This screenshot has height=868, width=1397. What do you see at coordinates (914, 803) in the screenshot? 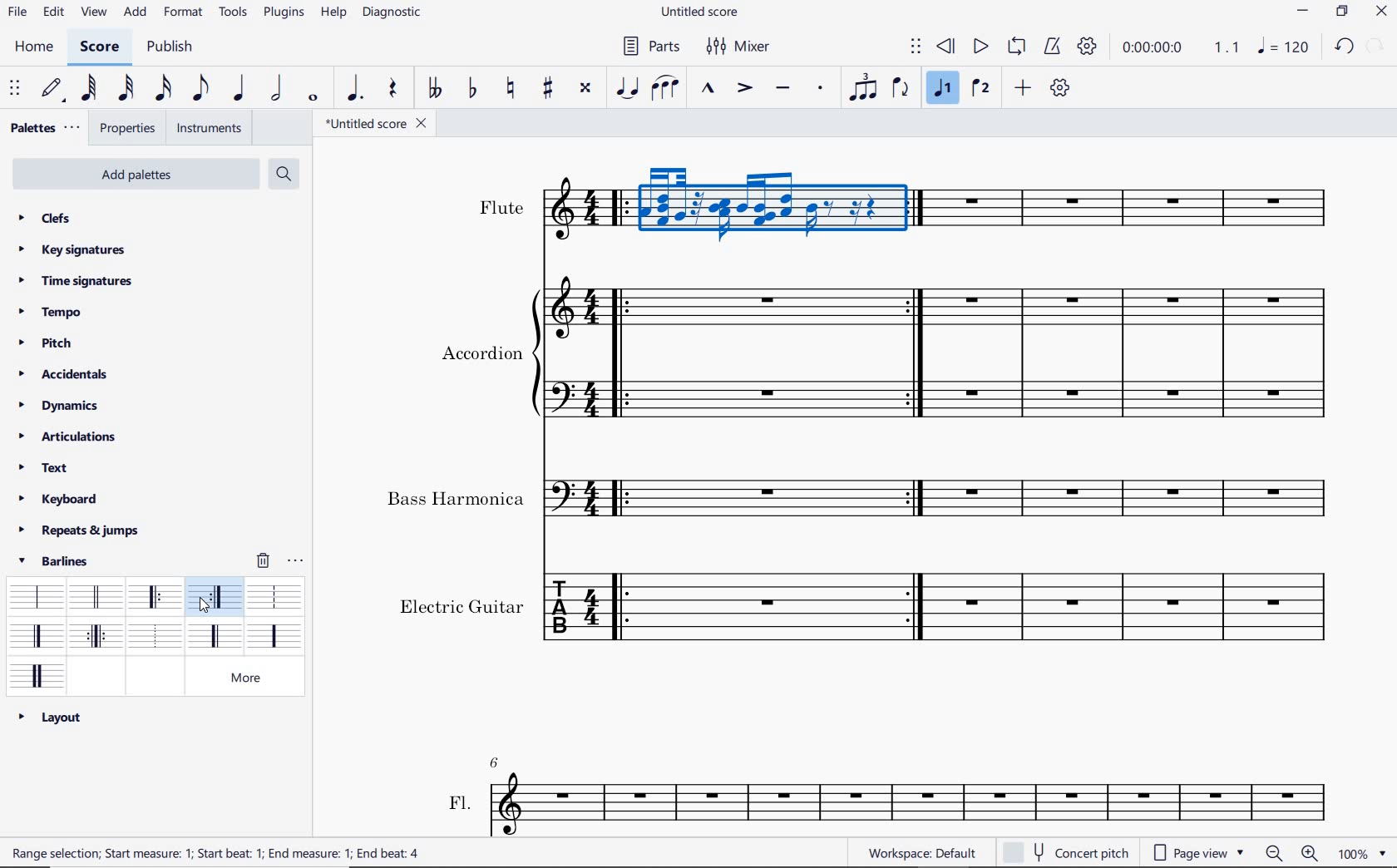
I see `FL` at bounding box center [914, 803].